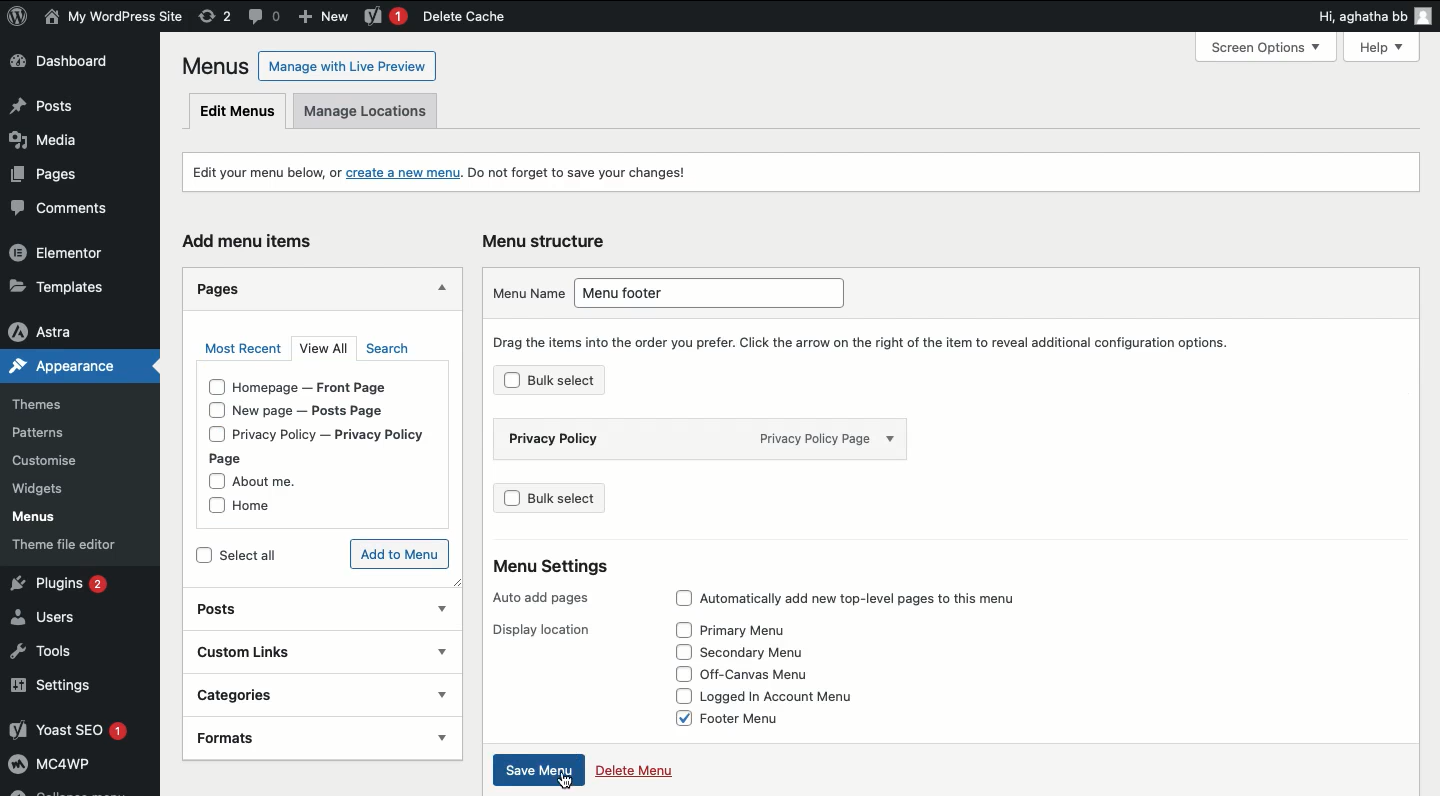 The image size is (1440, 796). I want to click on Home, so click(266, 508).